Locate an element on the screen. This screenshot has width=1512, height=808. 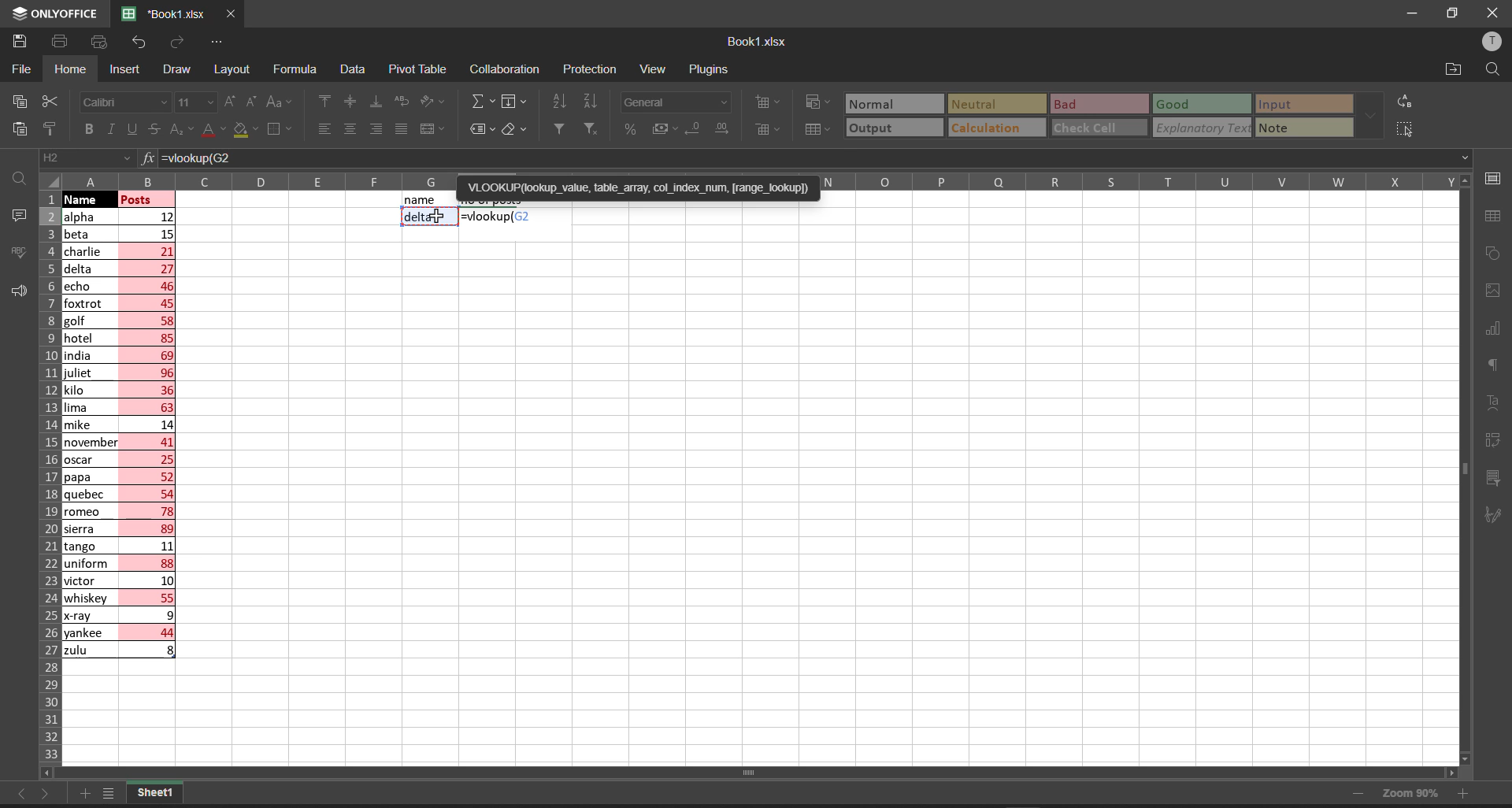
delta is located at coordinates (413, 218).